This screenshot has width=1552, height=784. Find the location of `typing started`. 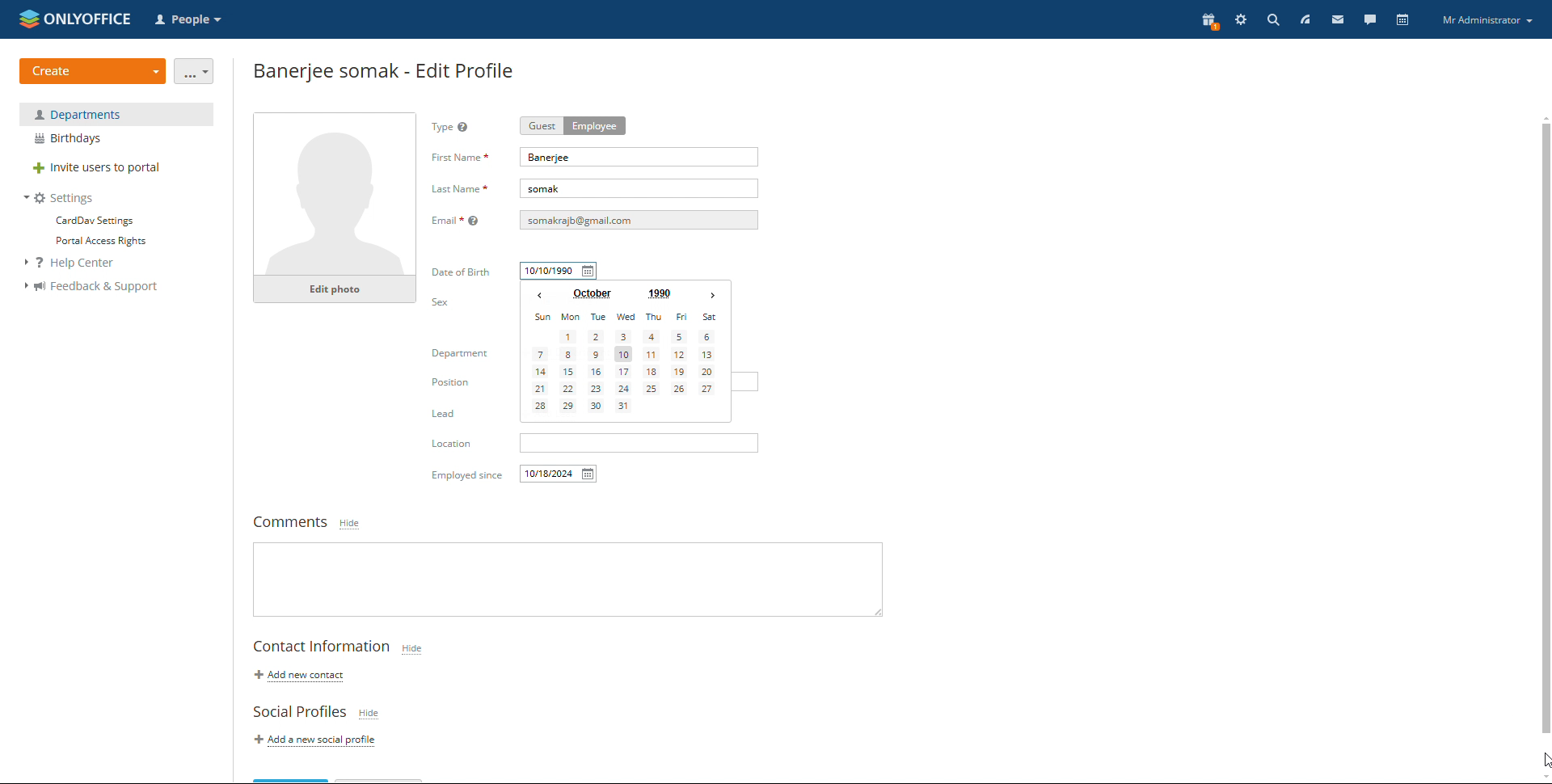

typing started is located at coordinates (526, 272).